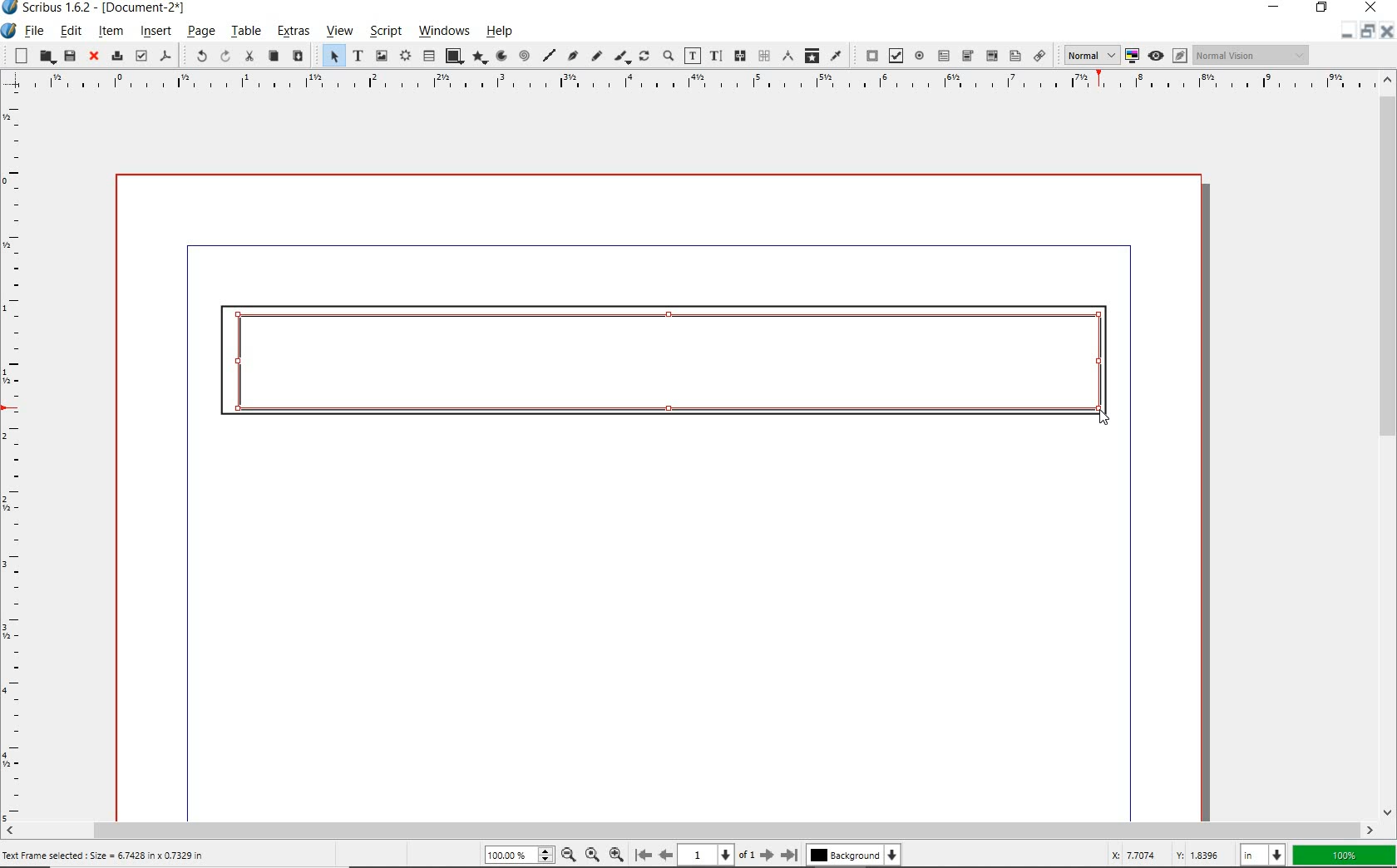 Image resolution: width=1397 pixels, height=868 pixels. I want to click on image frame, so click(381, 56).